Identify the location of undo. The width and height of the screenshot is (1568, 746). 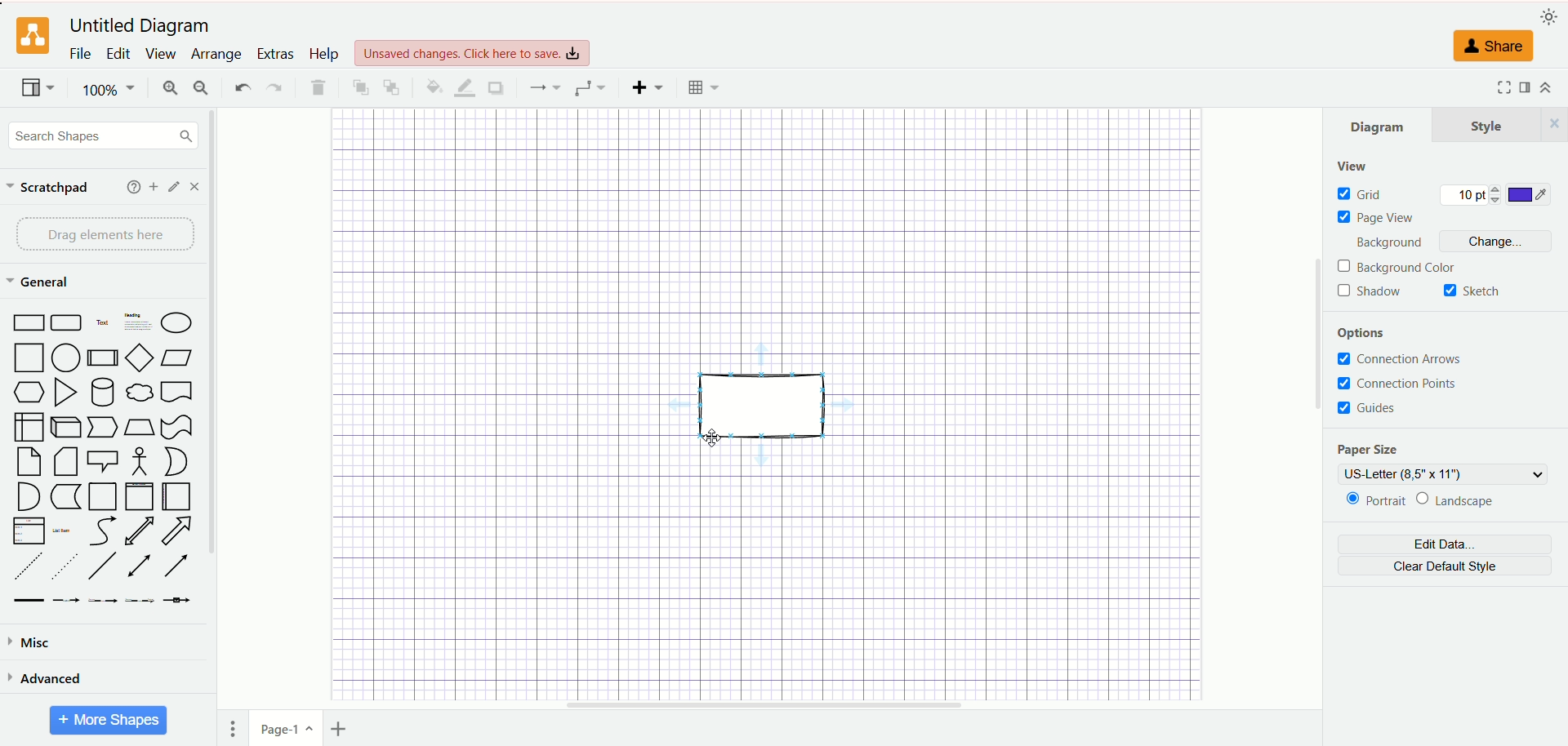
(241, 87).